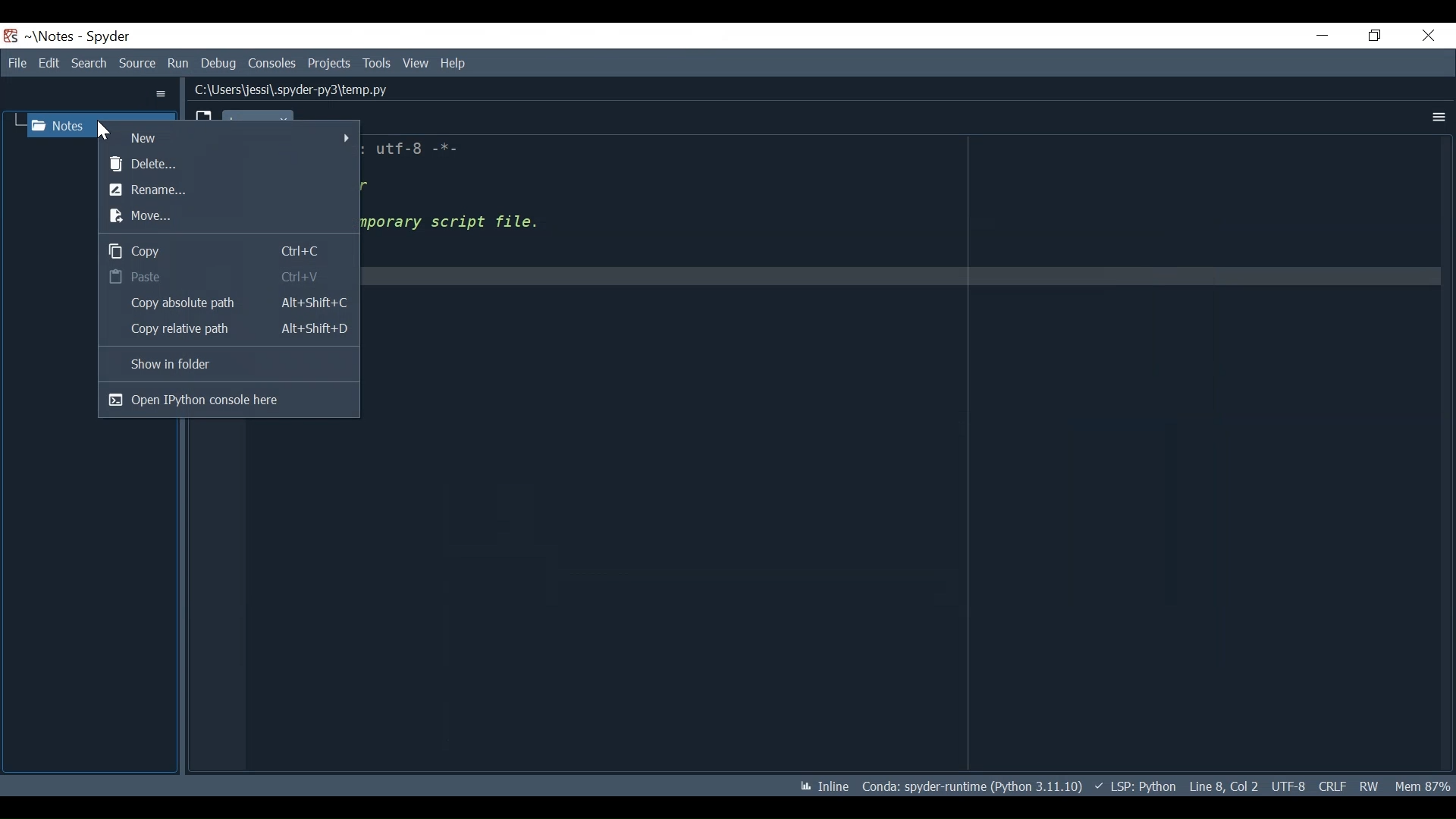  I want to click on Debug, so click(222, 61).